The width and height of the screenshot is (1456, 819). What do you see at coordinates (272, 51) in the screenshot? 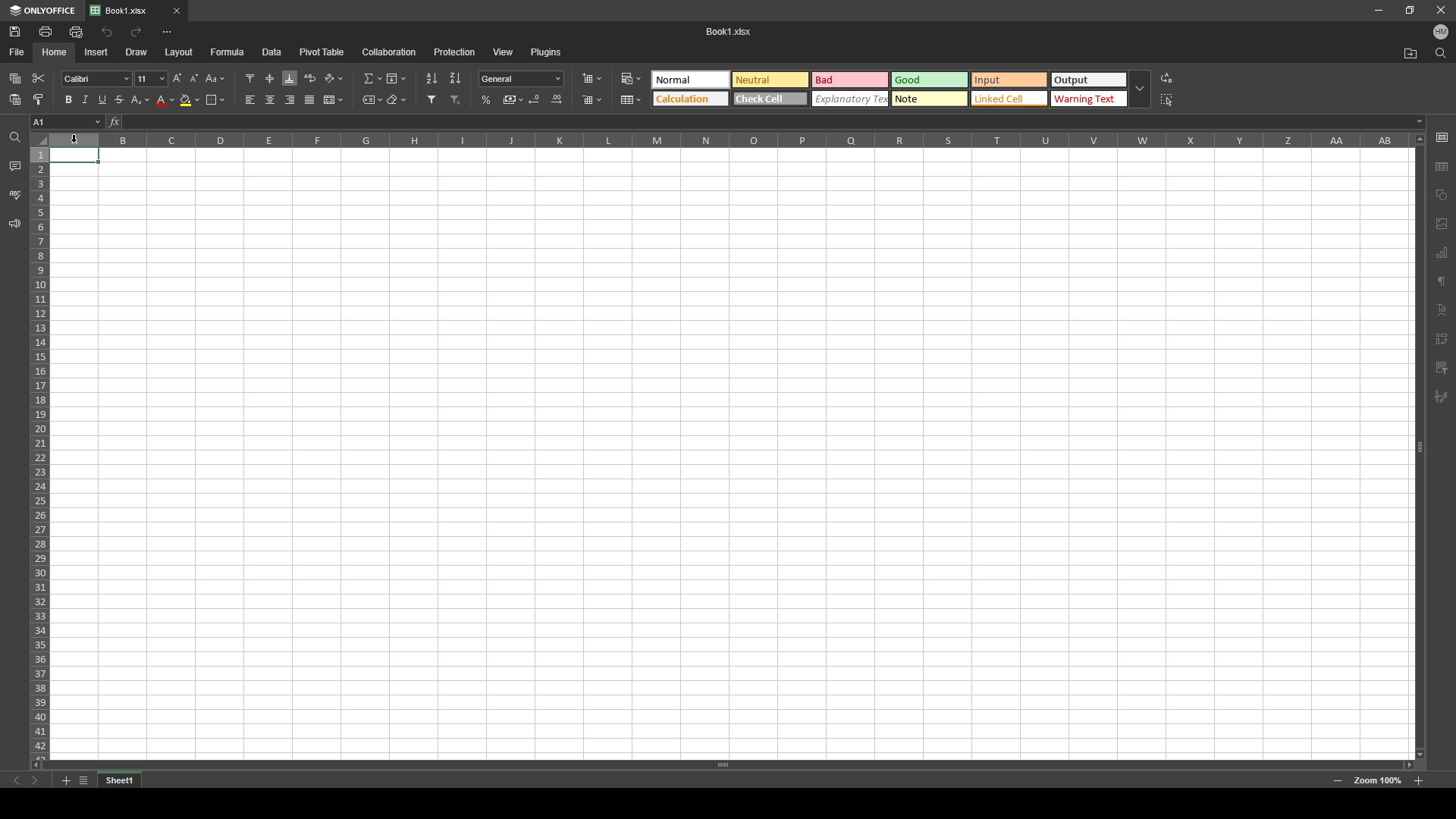
I see `data` at bounding box center [272, 51].